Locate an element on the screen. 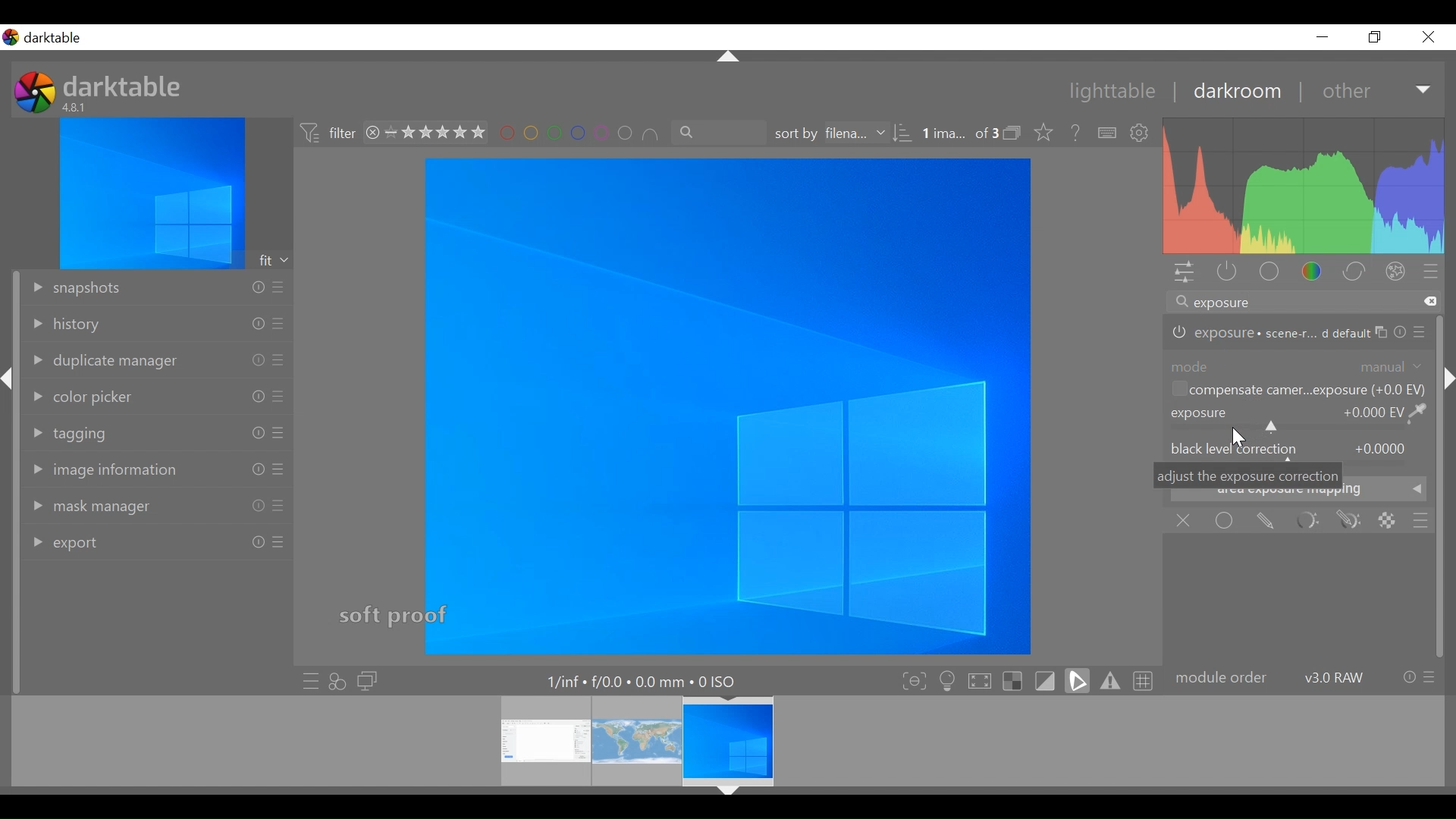  mode is located at coordinates (1191, 365).